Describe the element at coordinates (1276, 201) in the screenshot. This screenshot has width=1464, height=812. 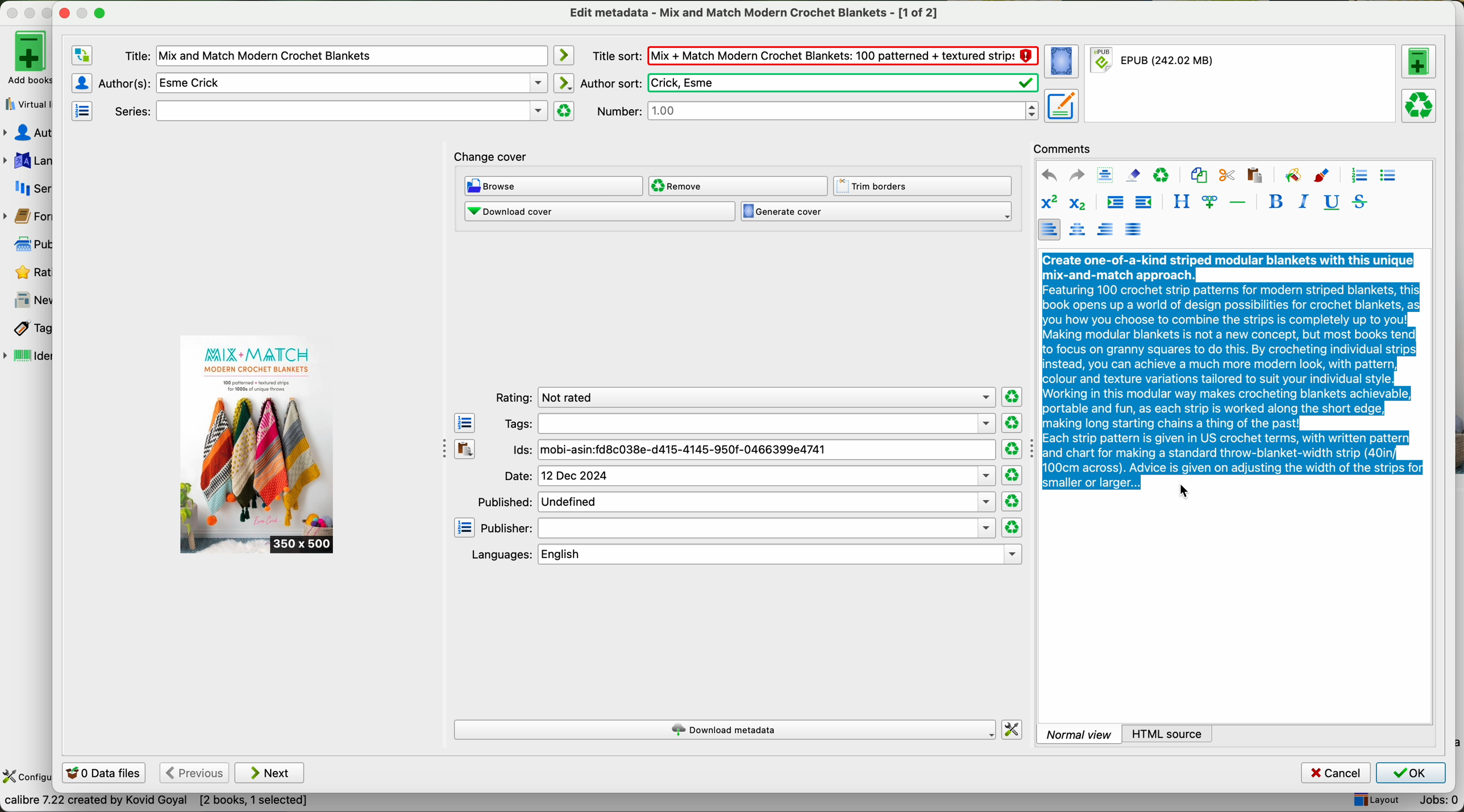
I see `bold` at that location.